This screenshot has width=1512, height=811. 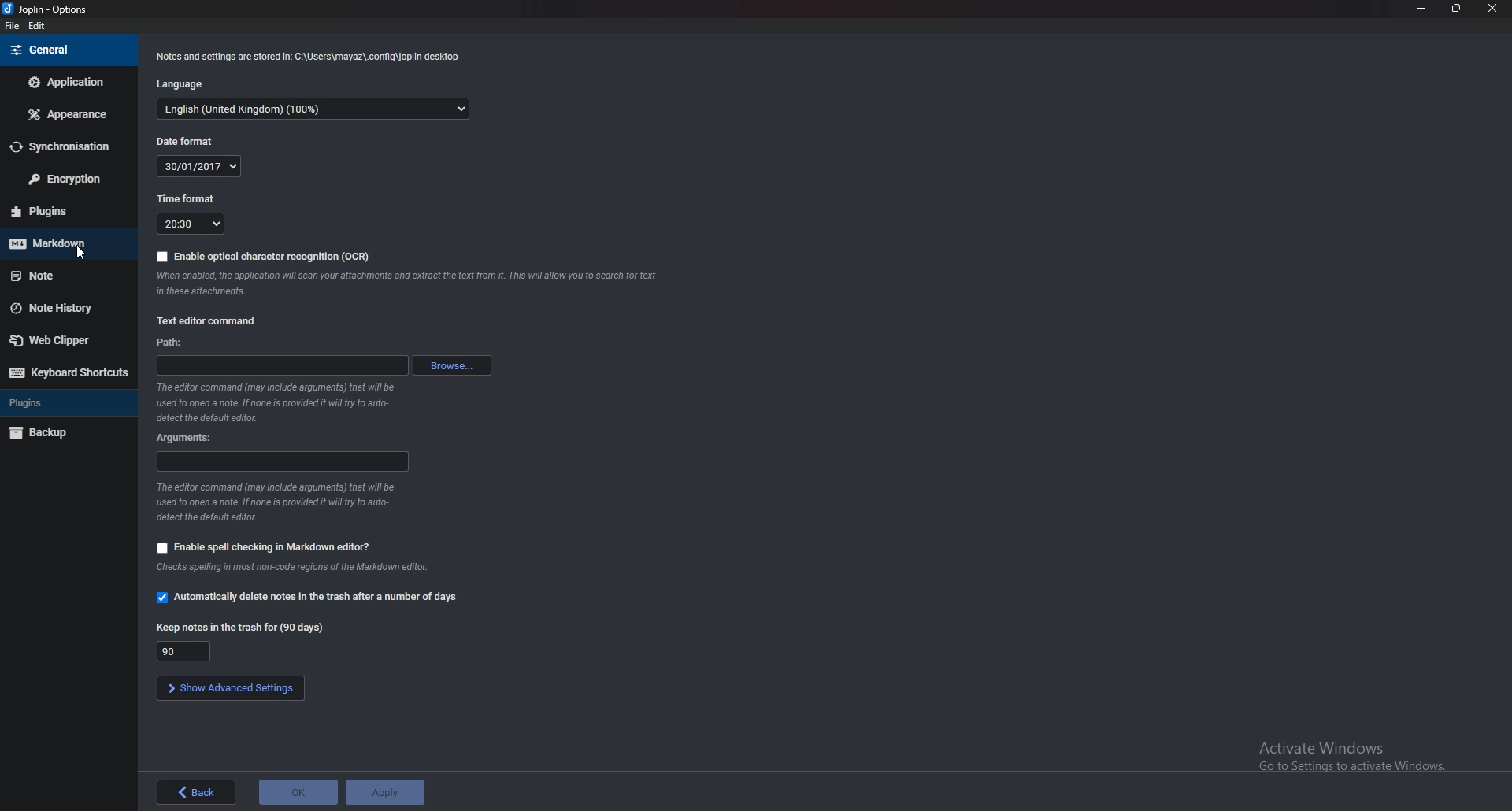 I want to click on markdown, so click(x=66, y=239).